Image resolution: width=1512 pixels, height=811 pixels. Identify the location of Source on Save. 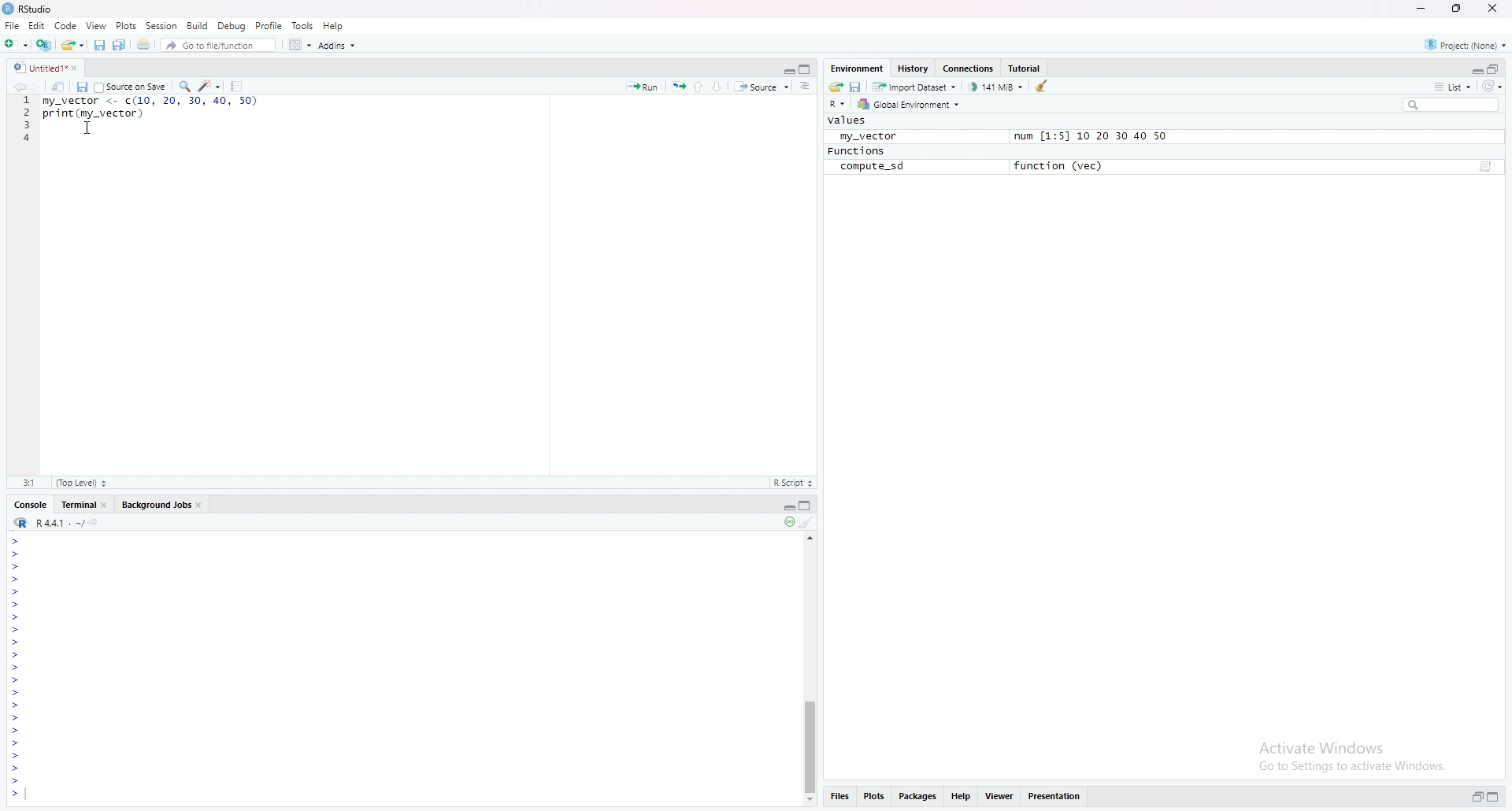
(130, 86).